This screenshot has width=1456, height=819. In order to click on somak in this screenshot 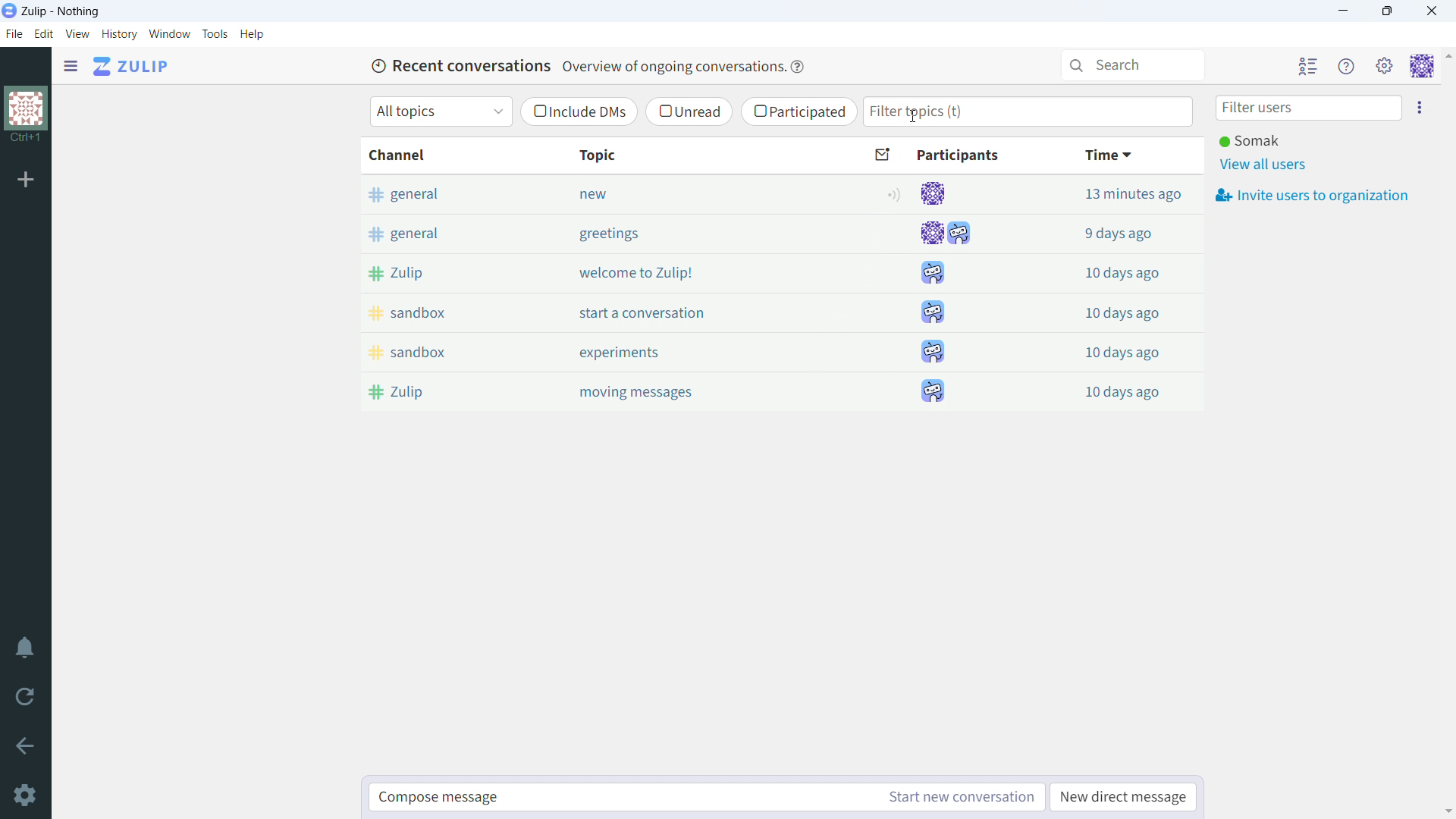, I will do `click(1250, 140)`.